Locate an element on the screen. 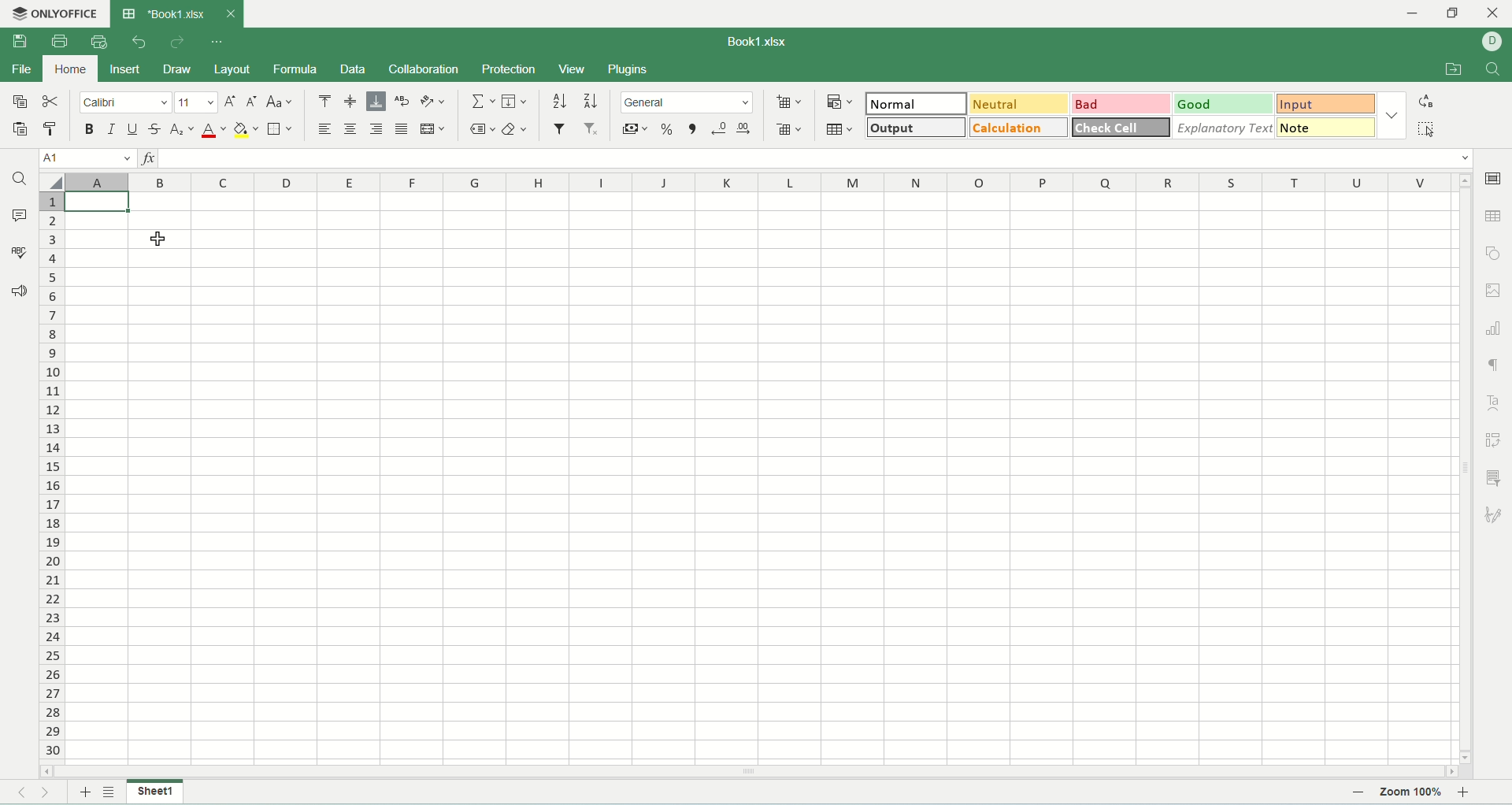 The image size is (1512, 805). decrease decimal is located at coordinates (720, 128).